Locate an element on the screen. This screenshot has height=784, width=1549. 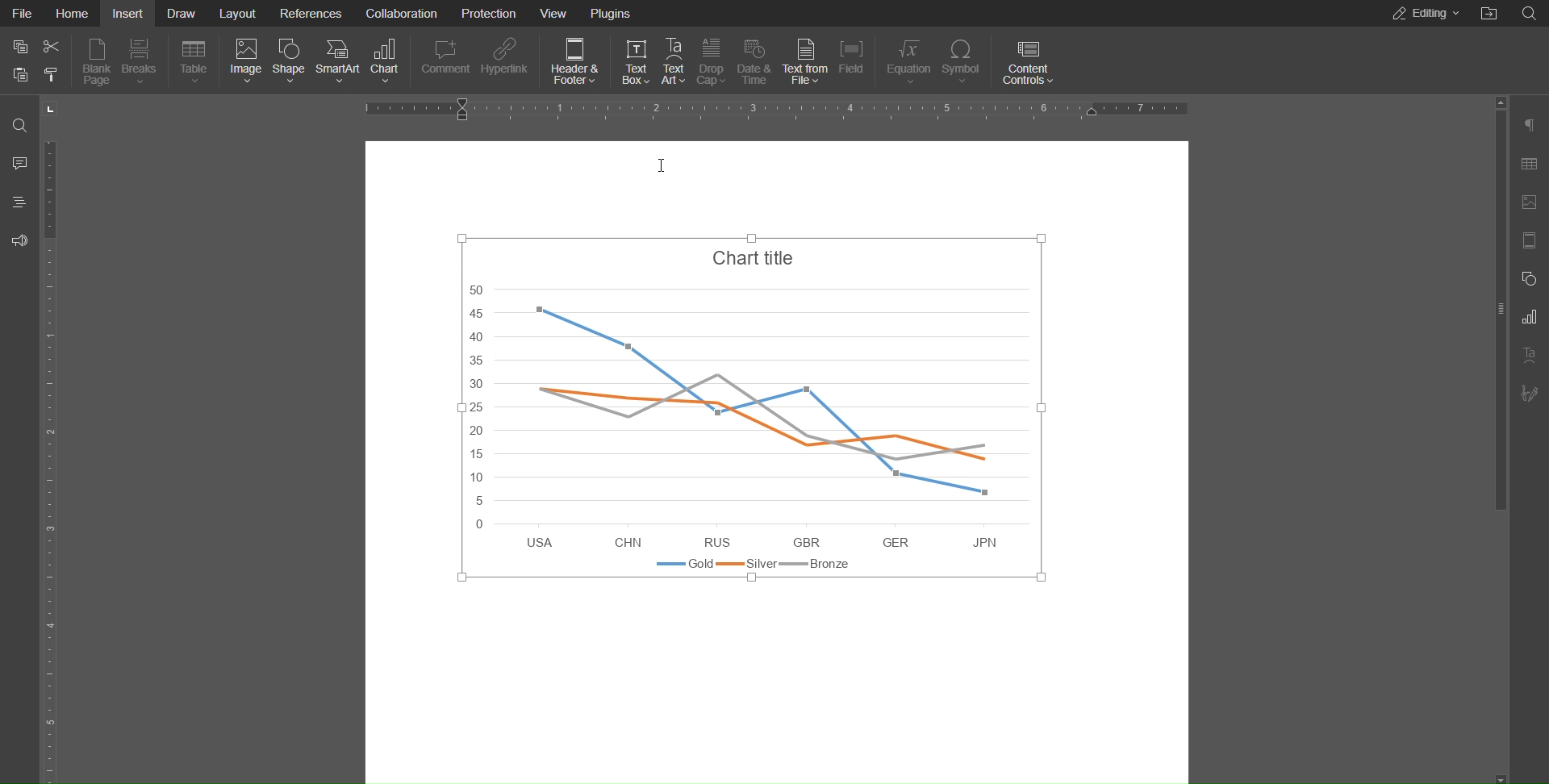
Search is located at coordinates (19, 123).